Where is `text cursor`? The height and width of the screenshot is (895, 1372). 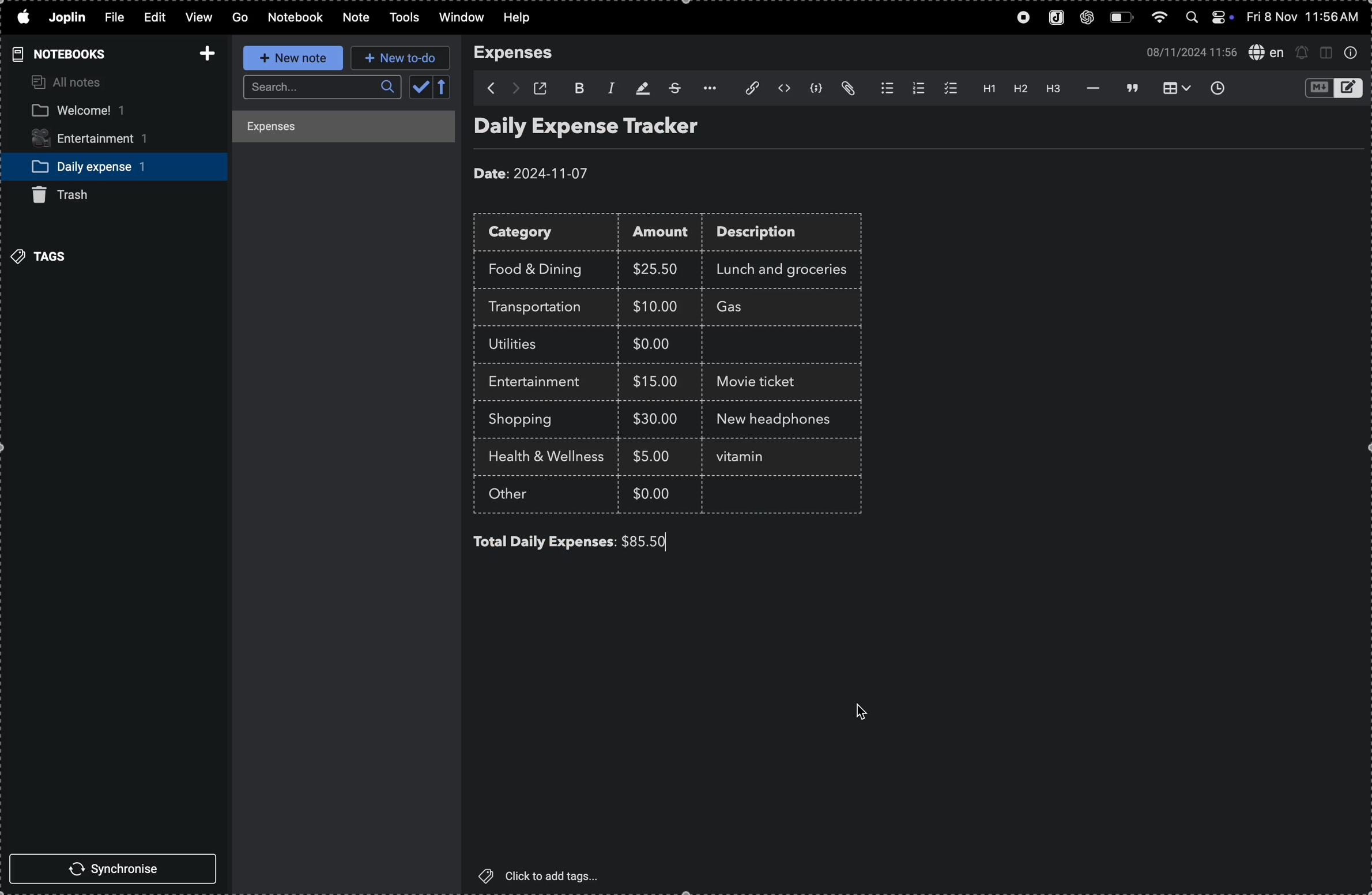 text cursor is located at coordinates (768, 460).